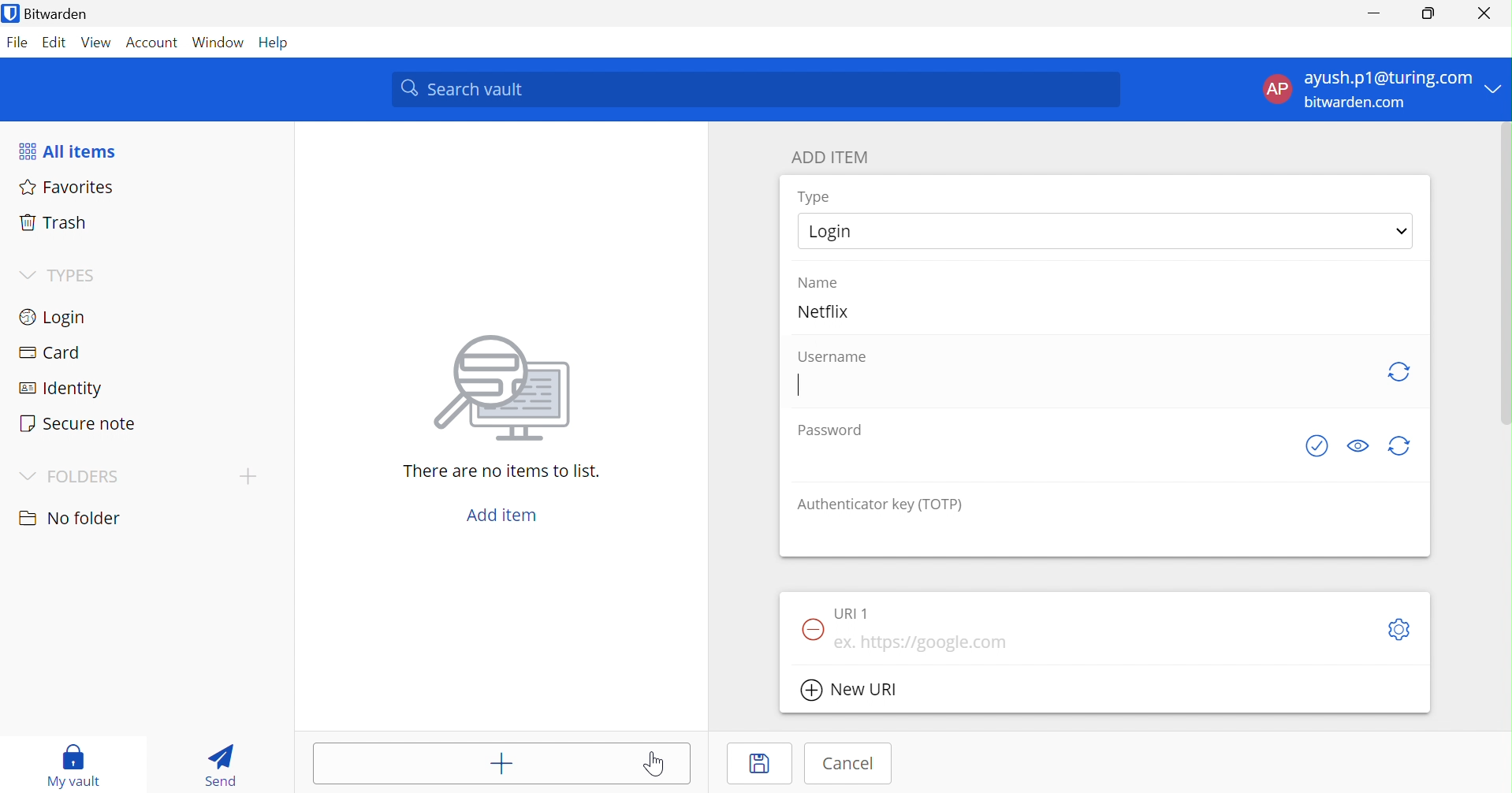  What do you see at coordinates (1358, 445) in the screenshot?
I see `Toggle visibility` at bounding box center [1358, 445].